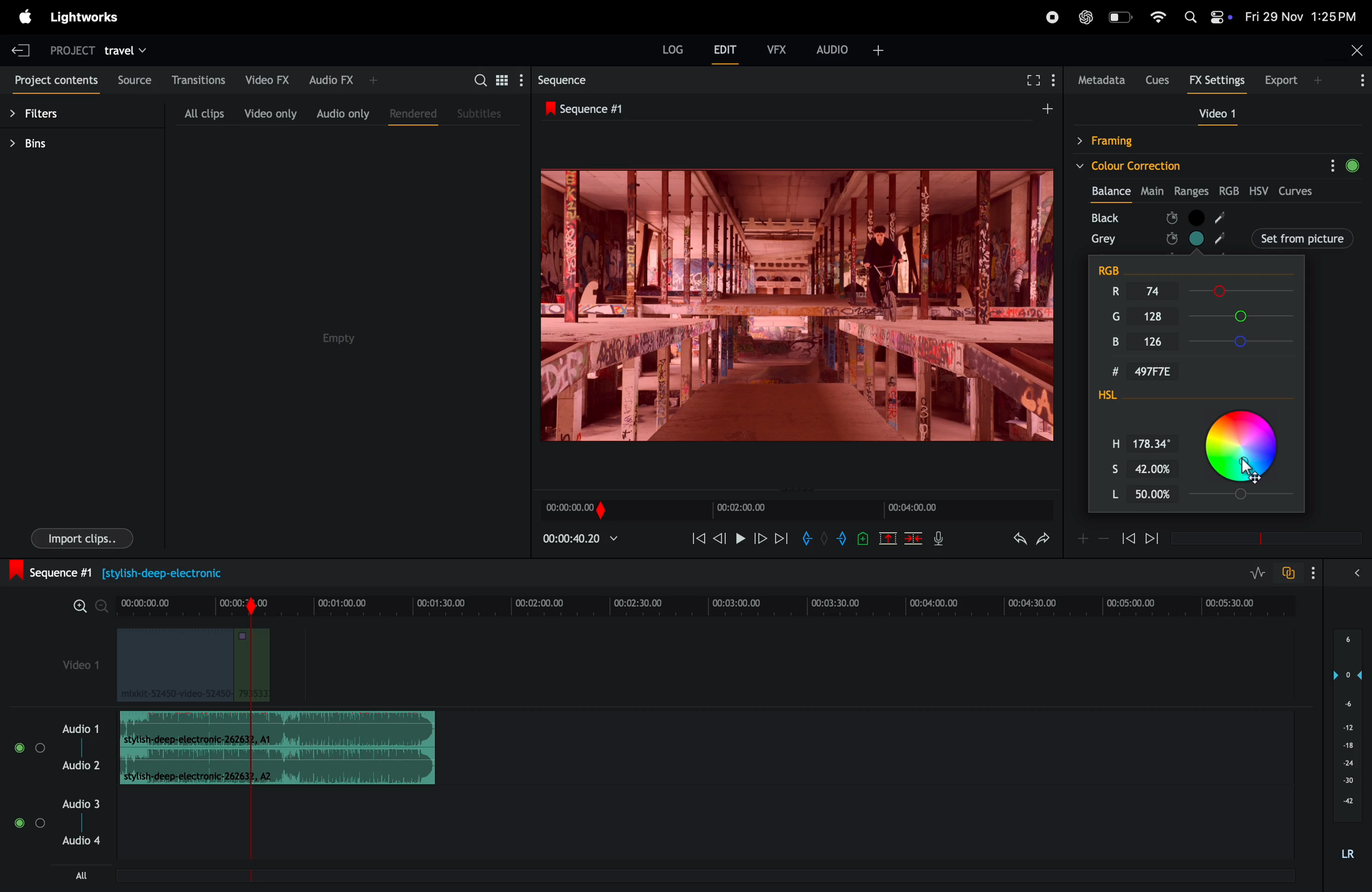  What do you see at coordinates (278, 729) in the screenshot?
I see `audio clip` at bounding box center [278, 729].